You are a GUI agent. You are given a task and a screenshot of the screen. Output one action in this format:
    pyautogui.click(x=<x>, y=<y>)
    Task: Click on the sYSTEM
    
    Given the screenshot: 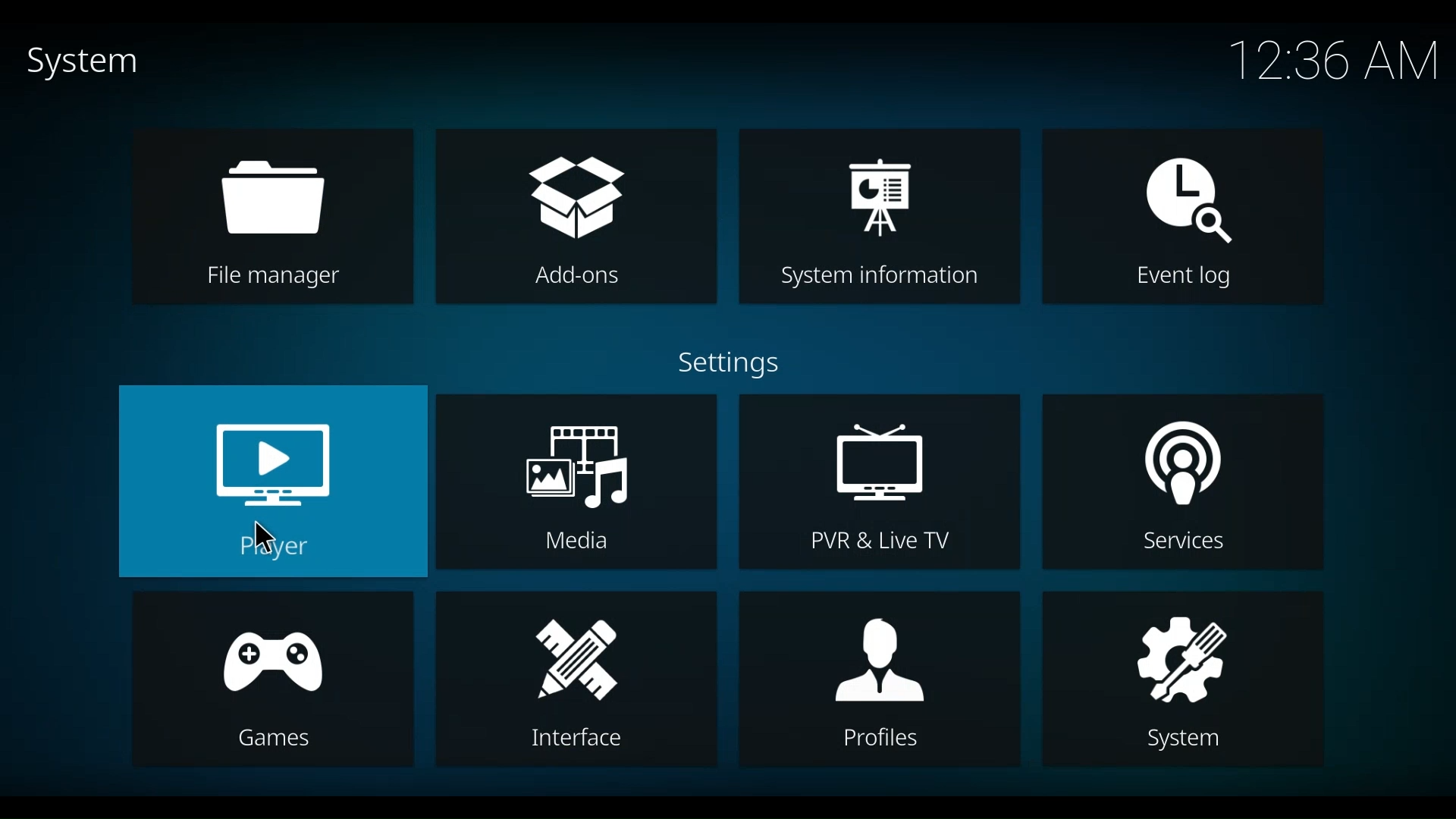 What is the action you would take?
    pyautogui.click(x=1181, y=676)
    